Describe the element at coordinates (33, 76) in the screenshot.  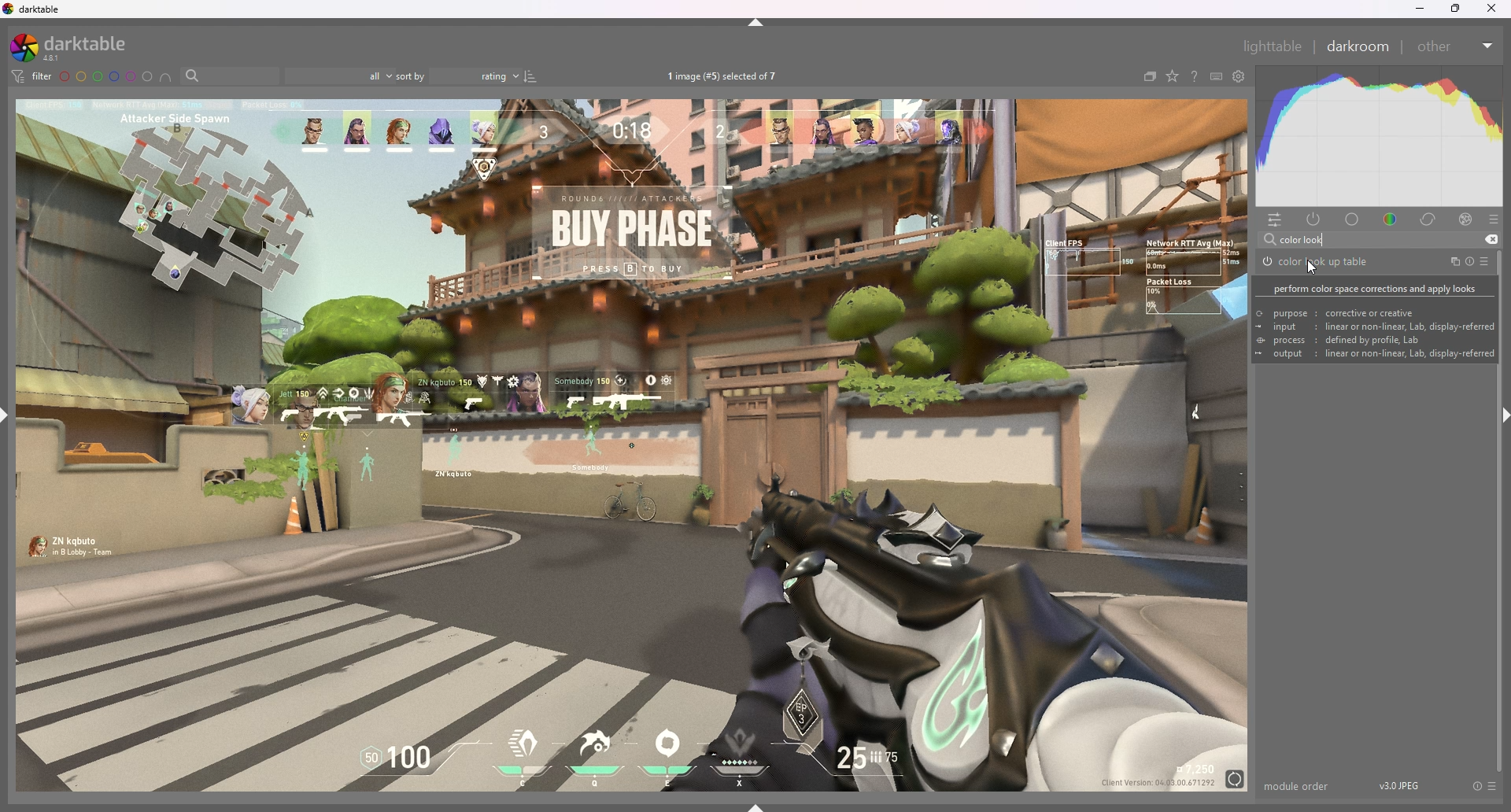
I see `filter` at that location.